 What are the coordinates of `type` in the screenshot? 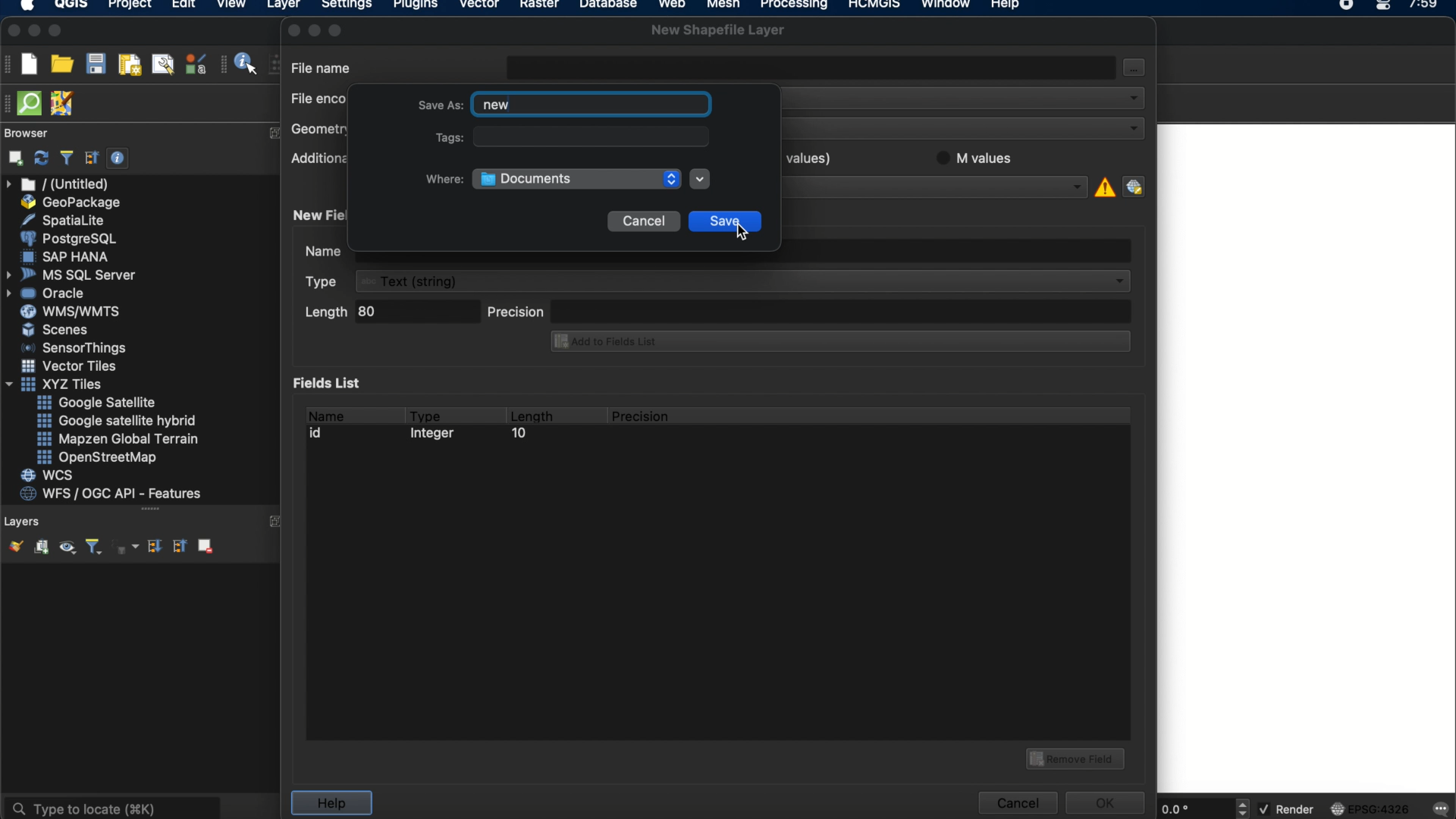 It's located at (426, 413).